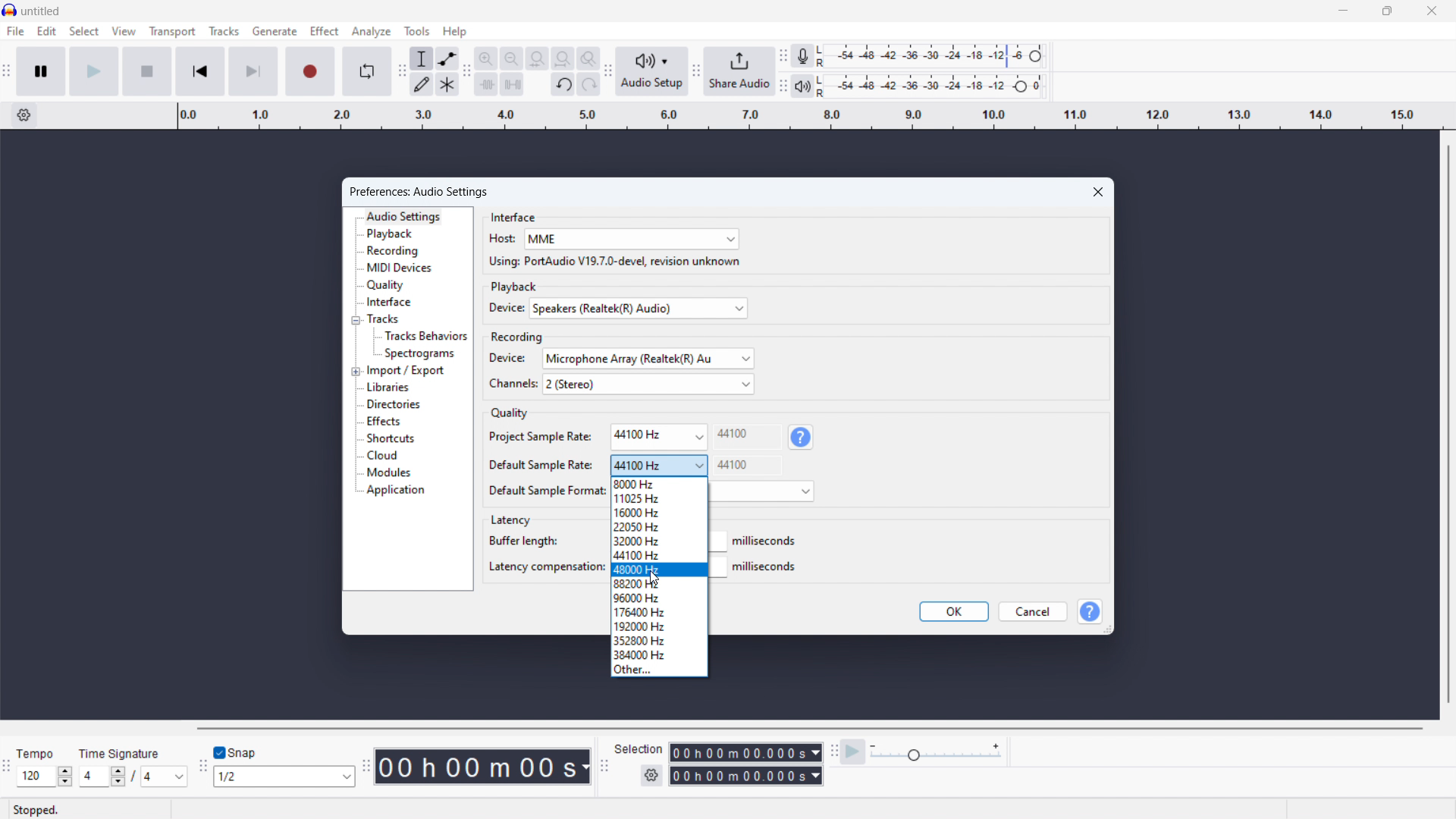 Image resolution: width=1456 pixels, height=819 pixels. I want to click on set tempo, so click(44, 777).